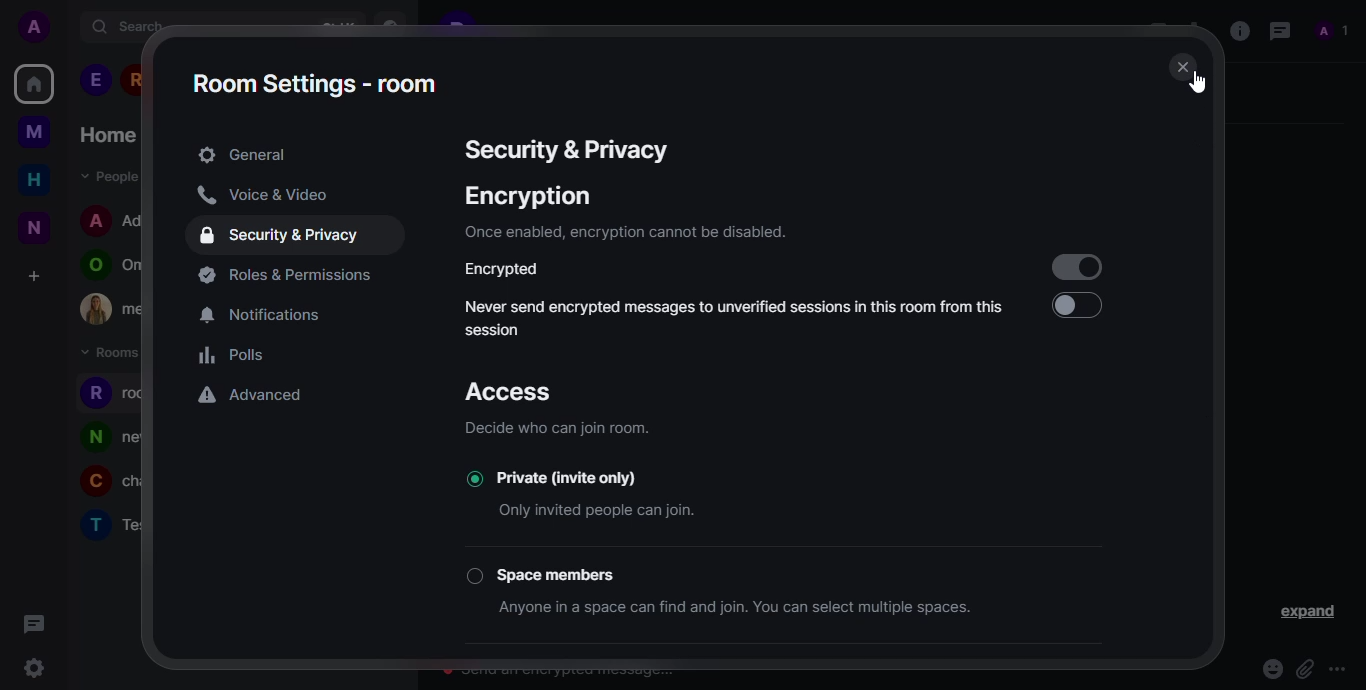 This screenshot has height=690, width=1366. What do you see at coordinates (316, 83) in the screenshot?
I see `room settings` at bounding box center [316, 83].